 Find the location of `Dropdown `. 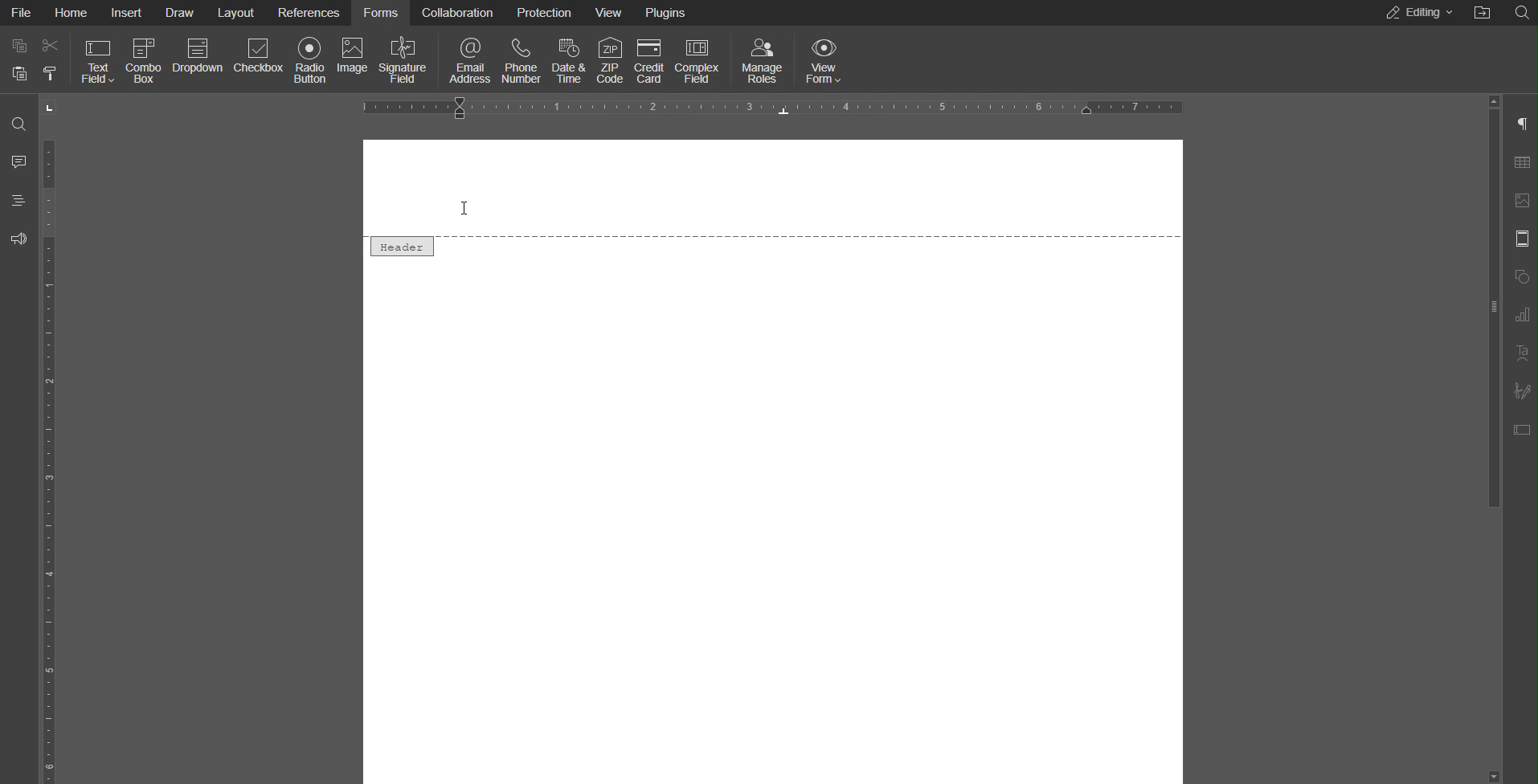

Dropdown  is located at coordinates (198, 59).